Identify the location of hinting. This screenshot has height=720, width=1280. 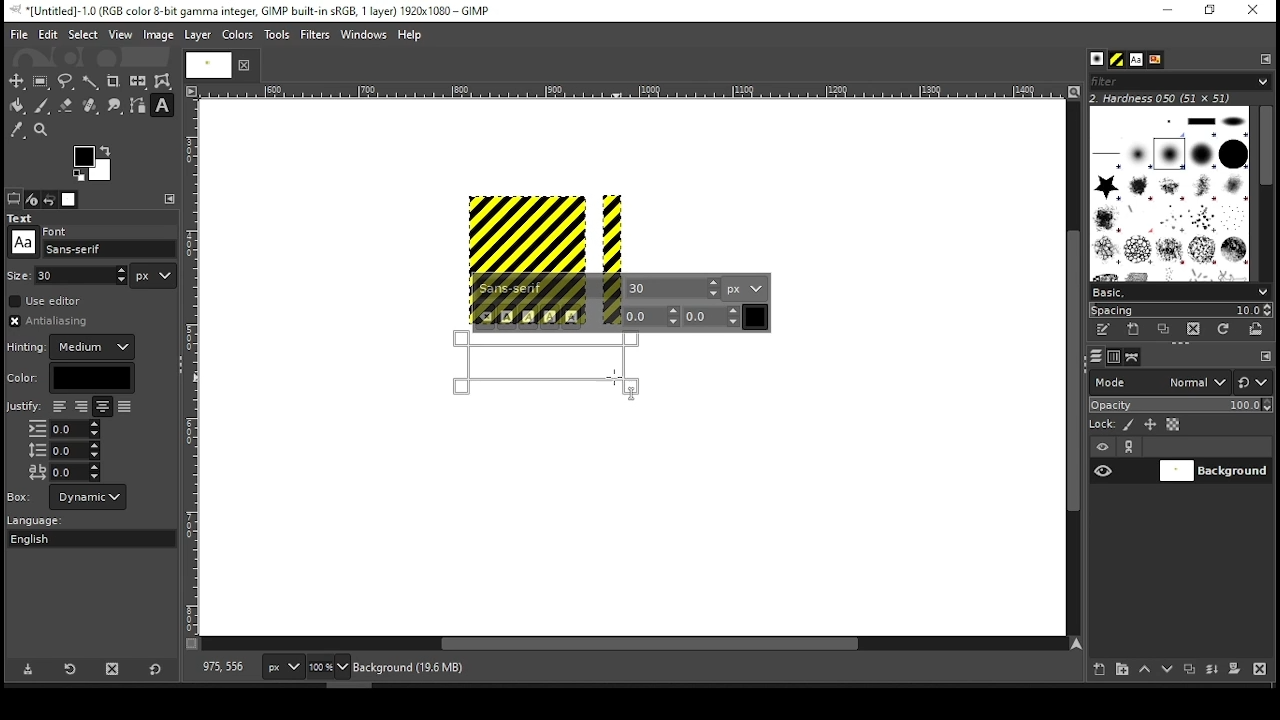
(73, 347).